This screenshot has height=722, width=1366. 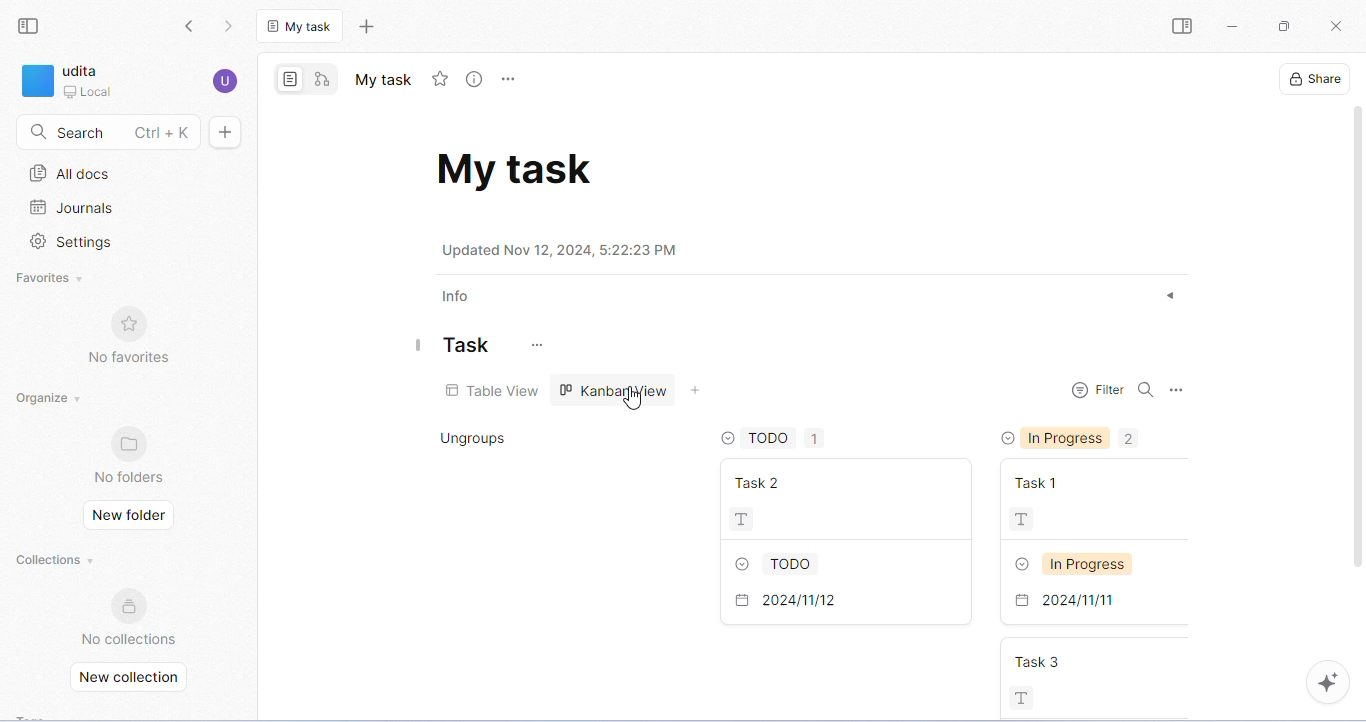 I want to click on new collection, so click(x=133, y=676).